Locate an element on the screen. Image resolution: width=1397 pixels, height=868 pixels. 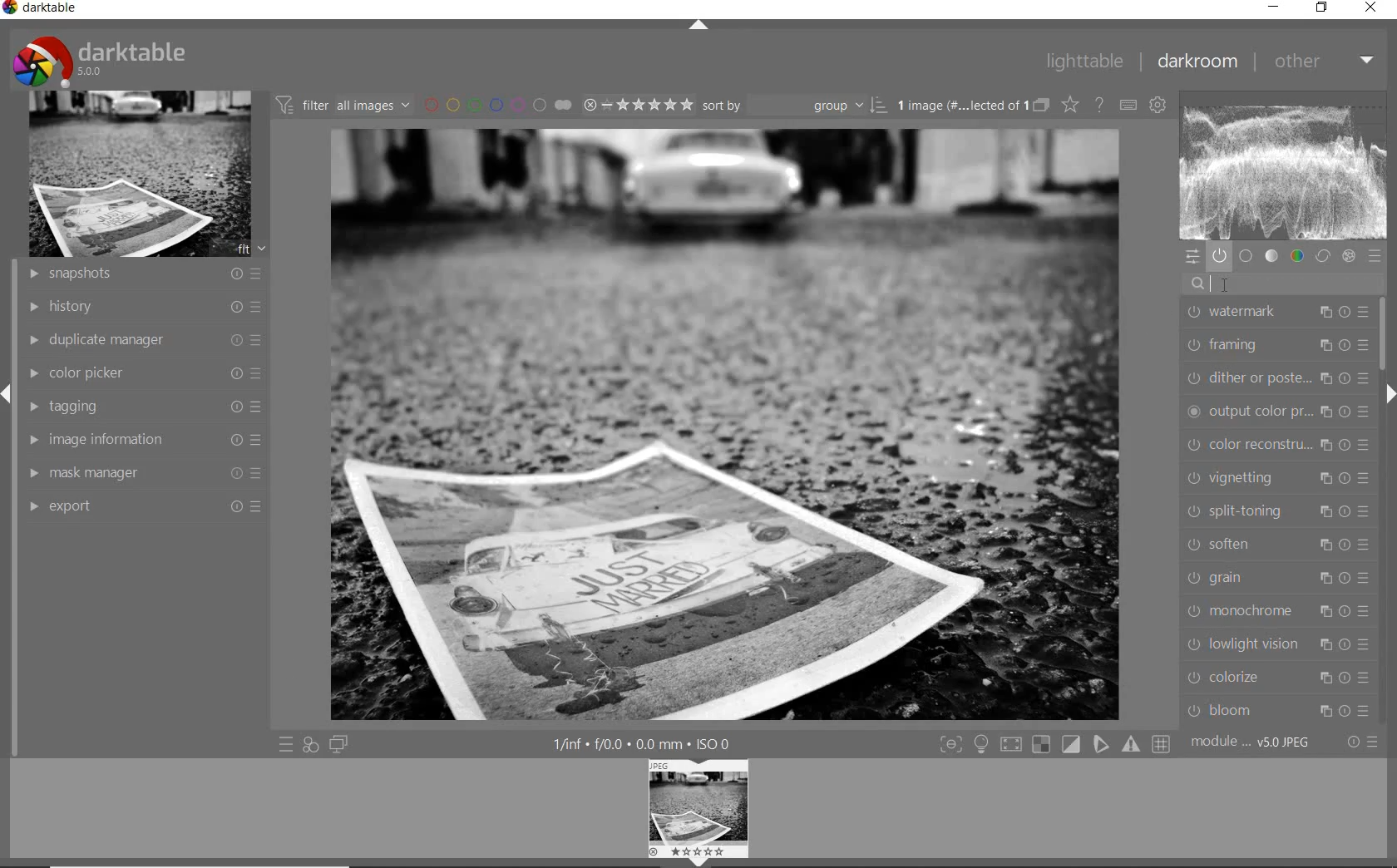
model order is located at coordinates (1251, 743).